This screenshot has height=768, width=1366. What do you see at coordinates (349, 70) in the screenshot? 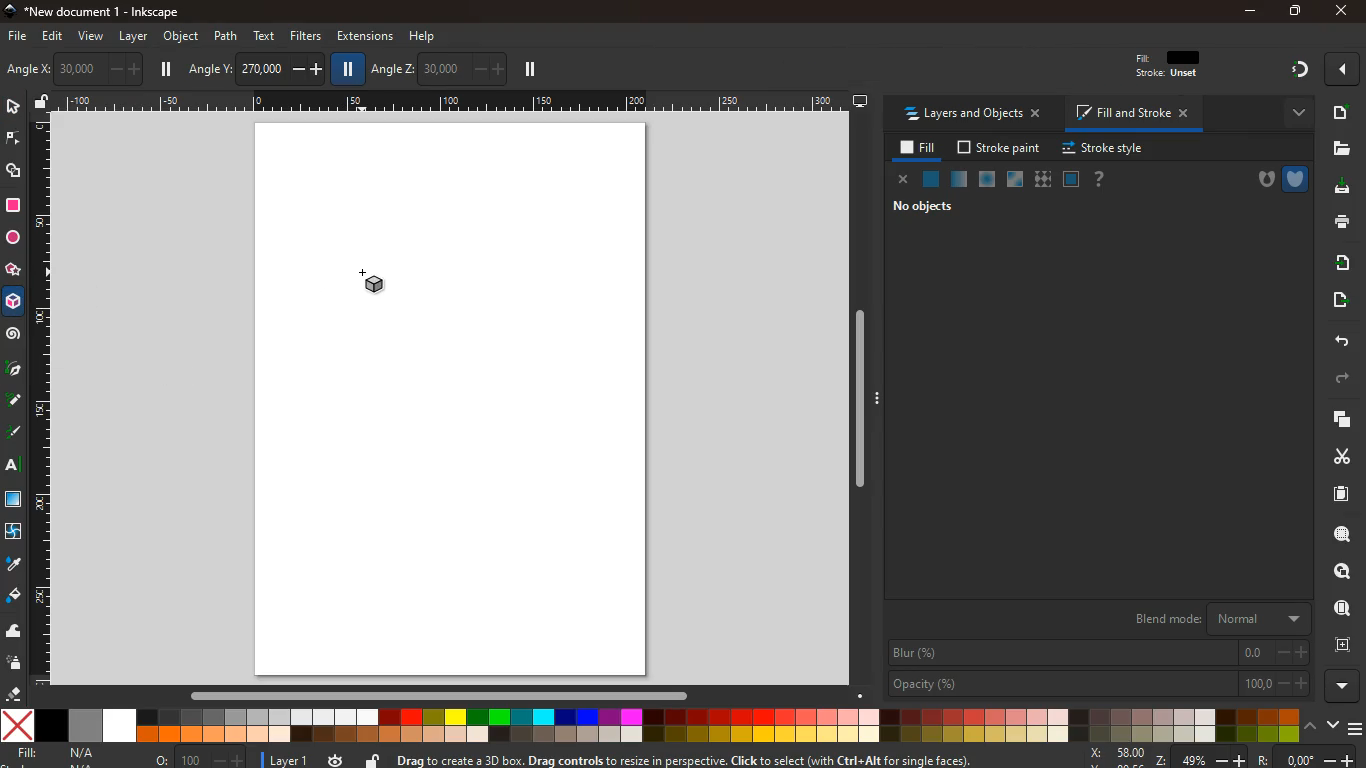
I see `pause` at bounding box center [349, 70].